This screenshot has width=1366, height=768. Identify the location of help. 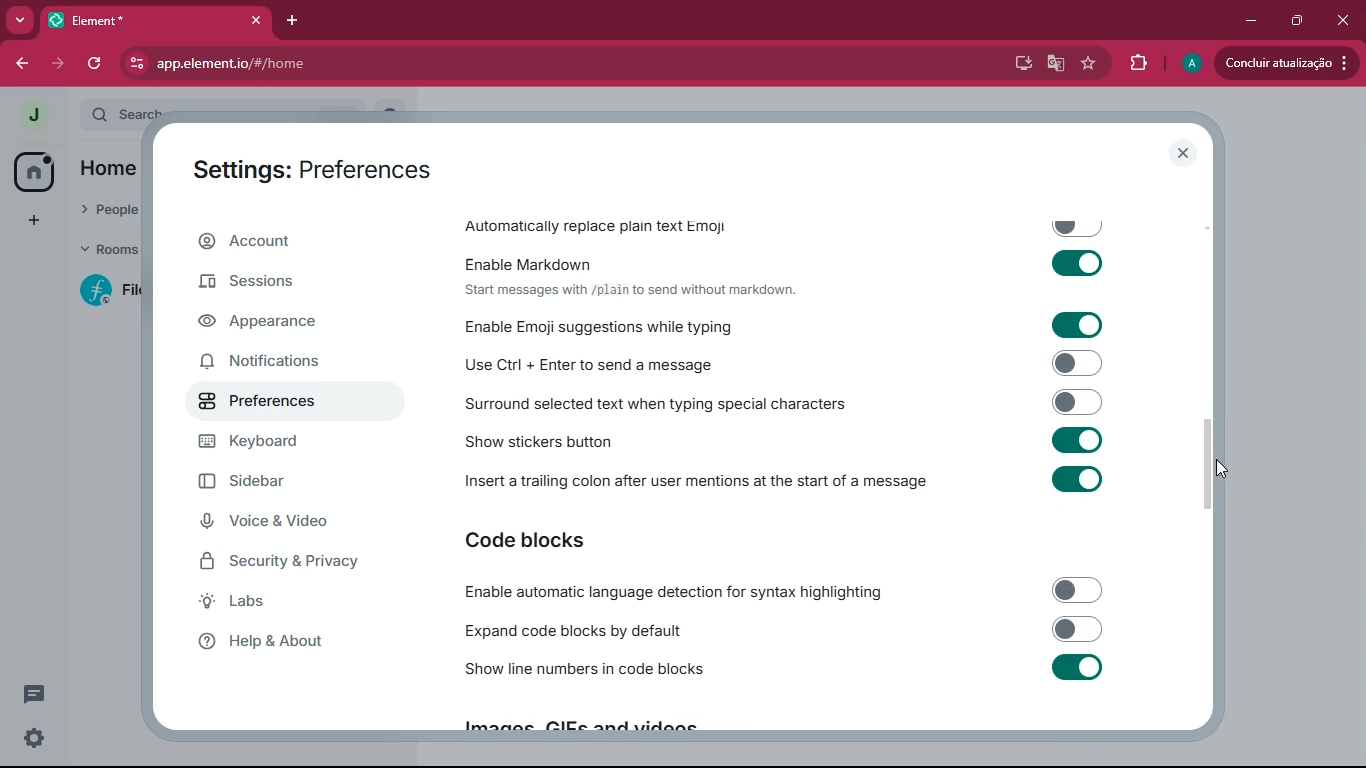
(289, 647).